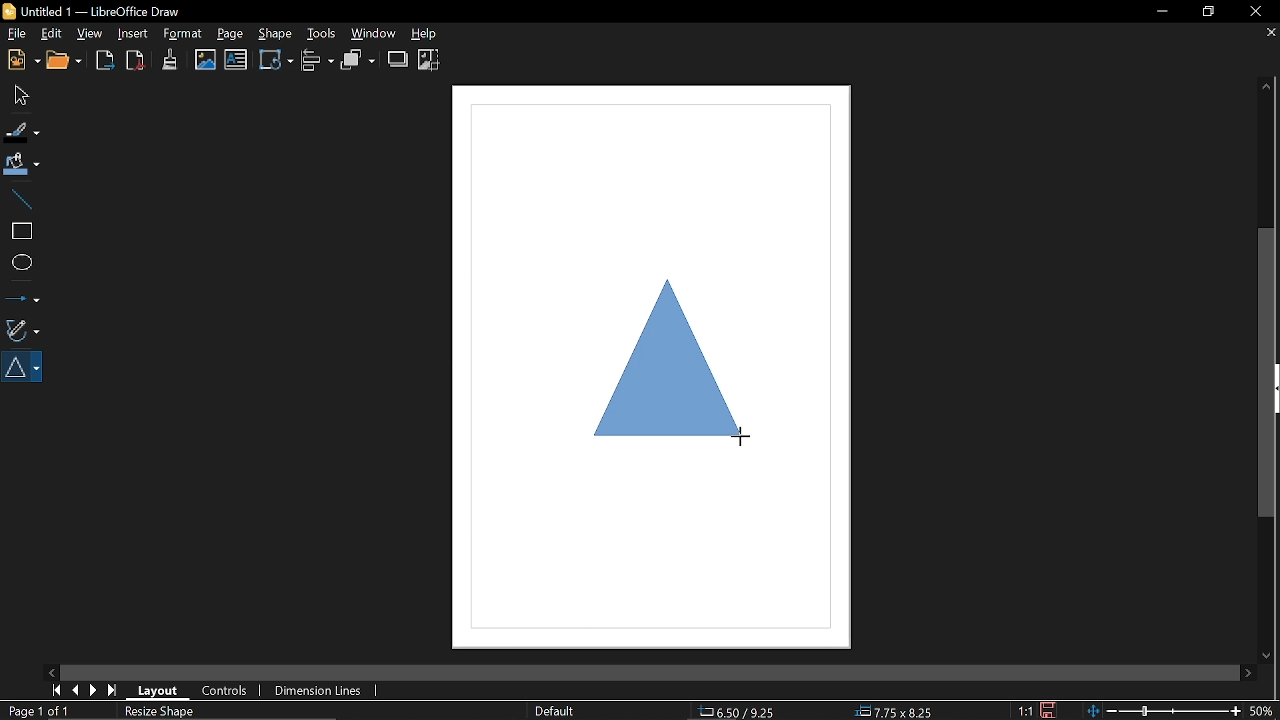 This screenshot has height=720, width=1280. Describe the element at coordinates (895, 712) in the screenshot. I see `Size` at that location.